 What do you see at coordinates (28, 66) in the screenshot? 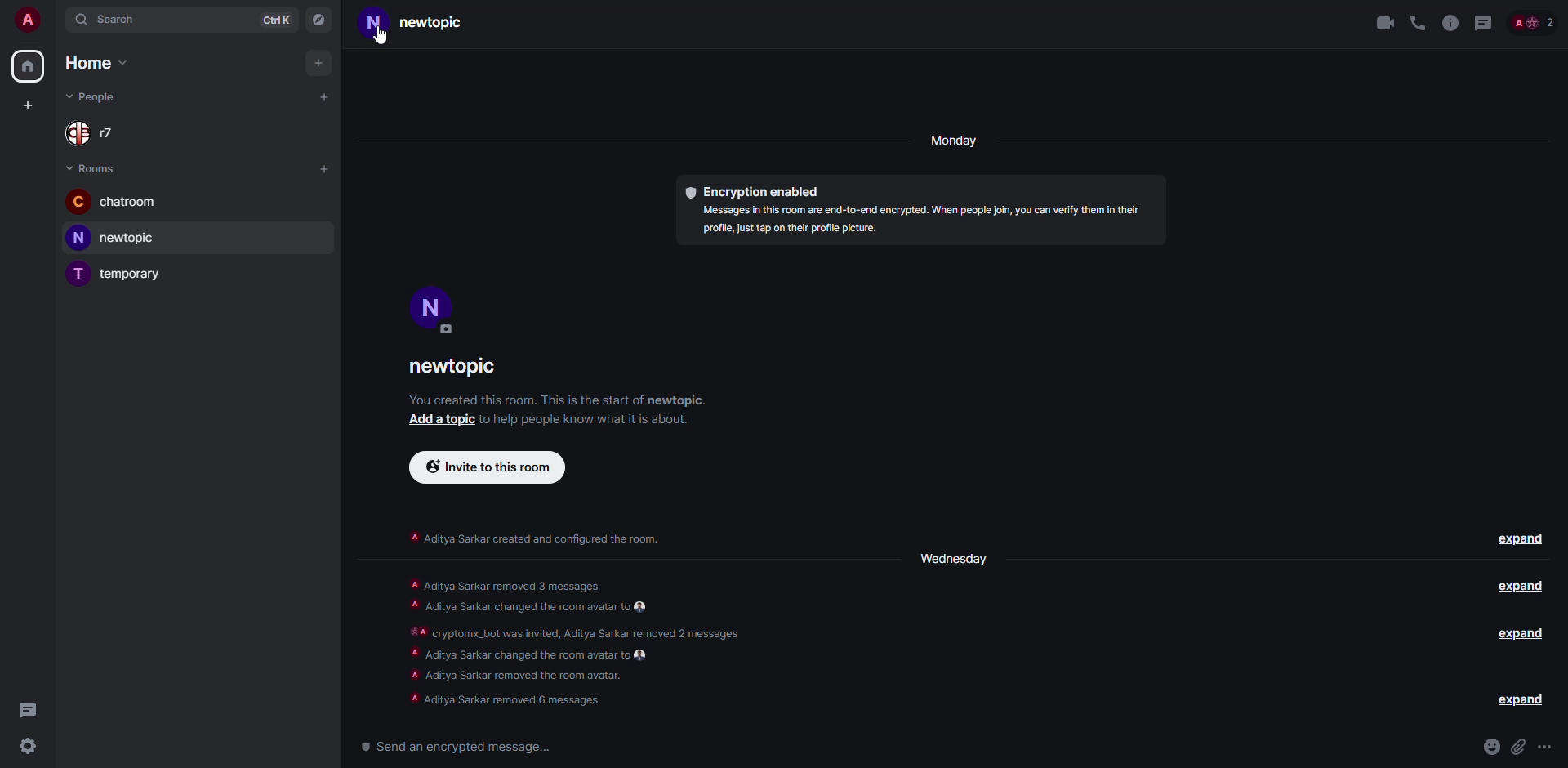
I see `home` at bounding box center [28, 66].